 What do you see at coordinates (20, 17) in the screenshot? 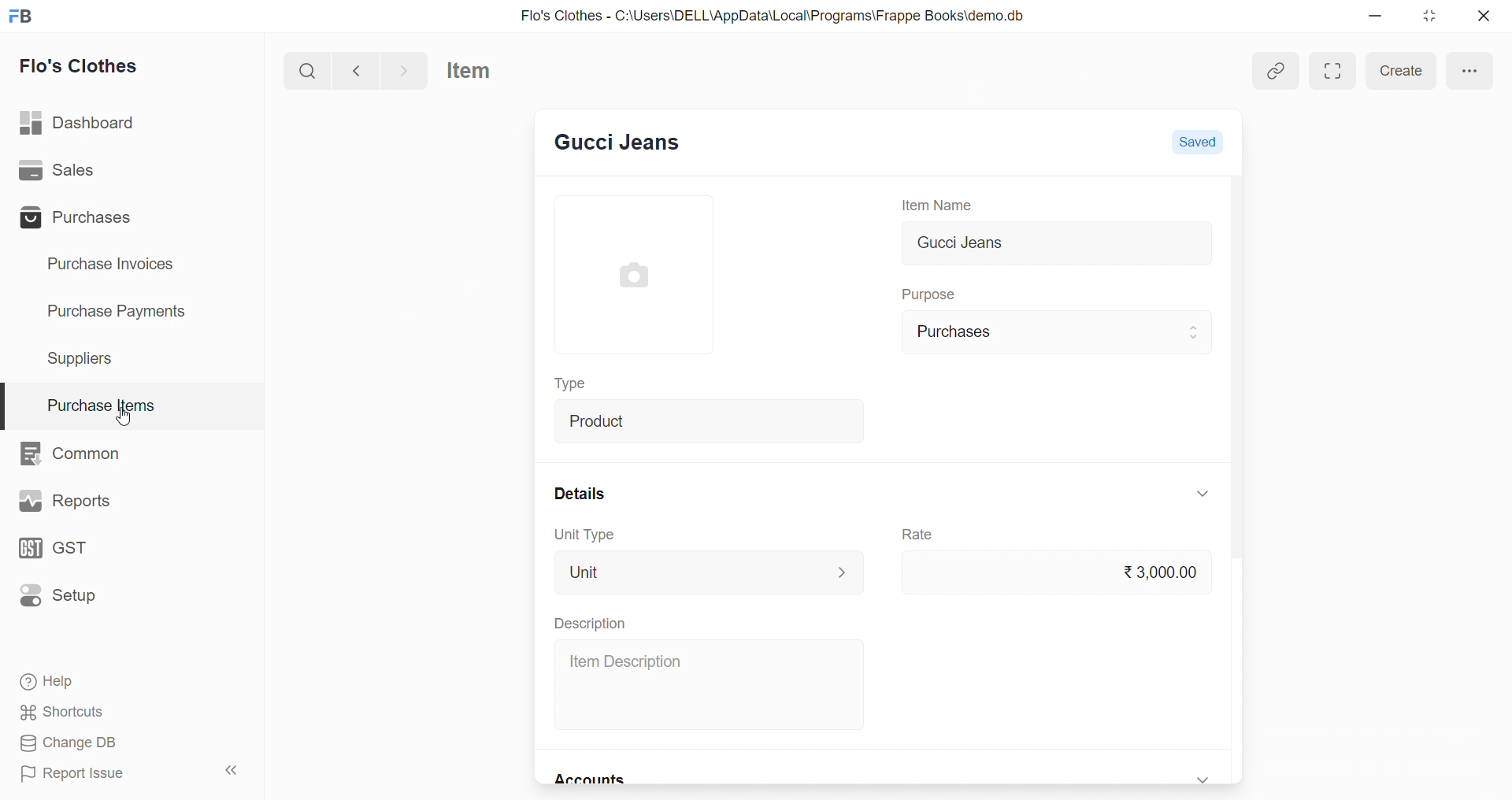
I see `logo` at bounding box center [20, 17].